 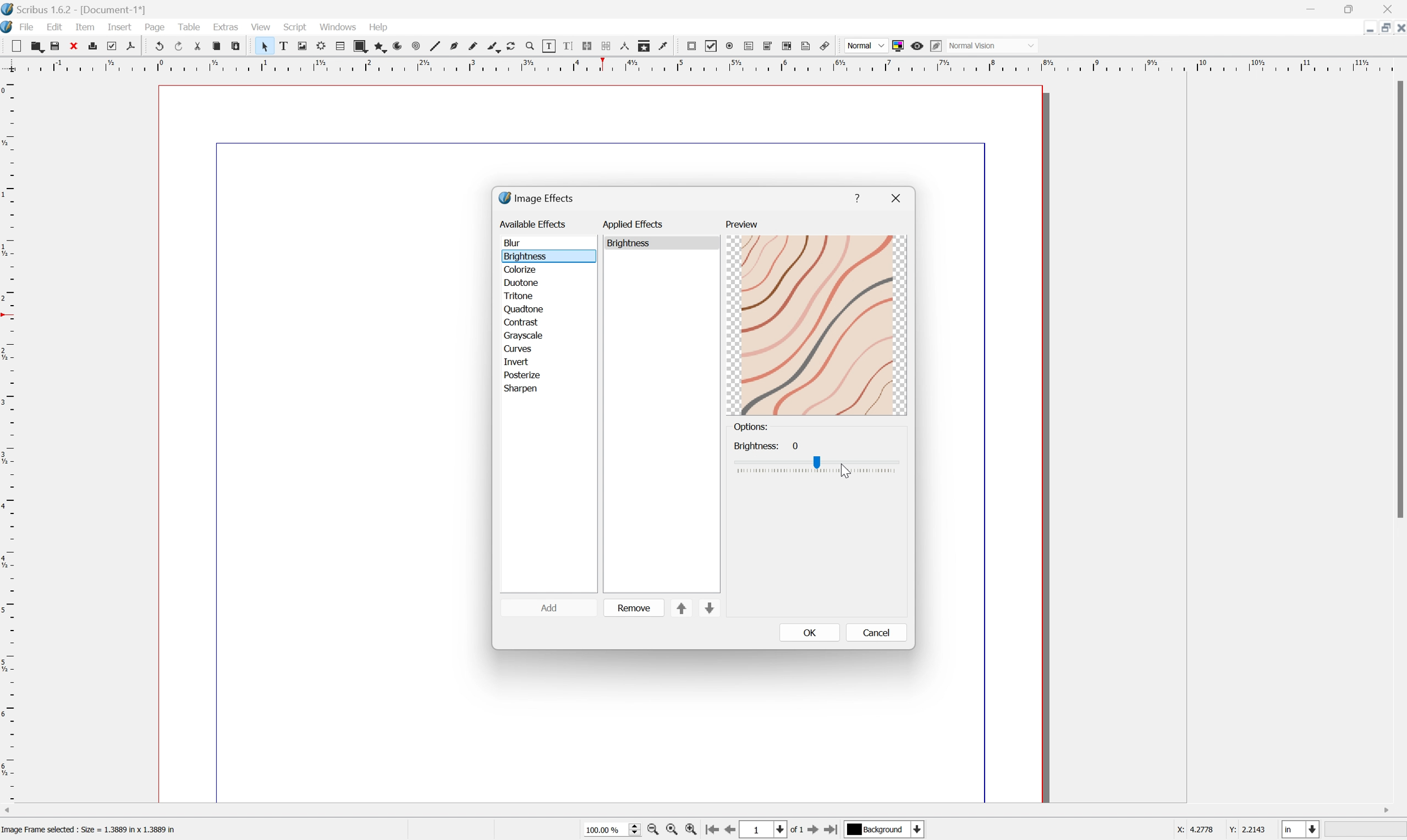 What do you see at coordinates (85, 26) in the screenshot?
I see `Item` at bounding box center [85, 26].